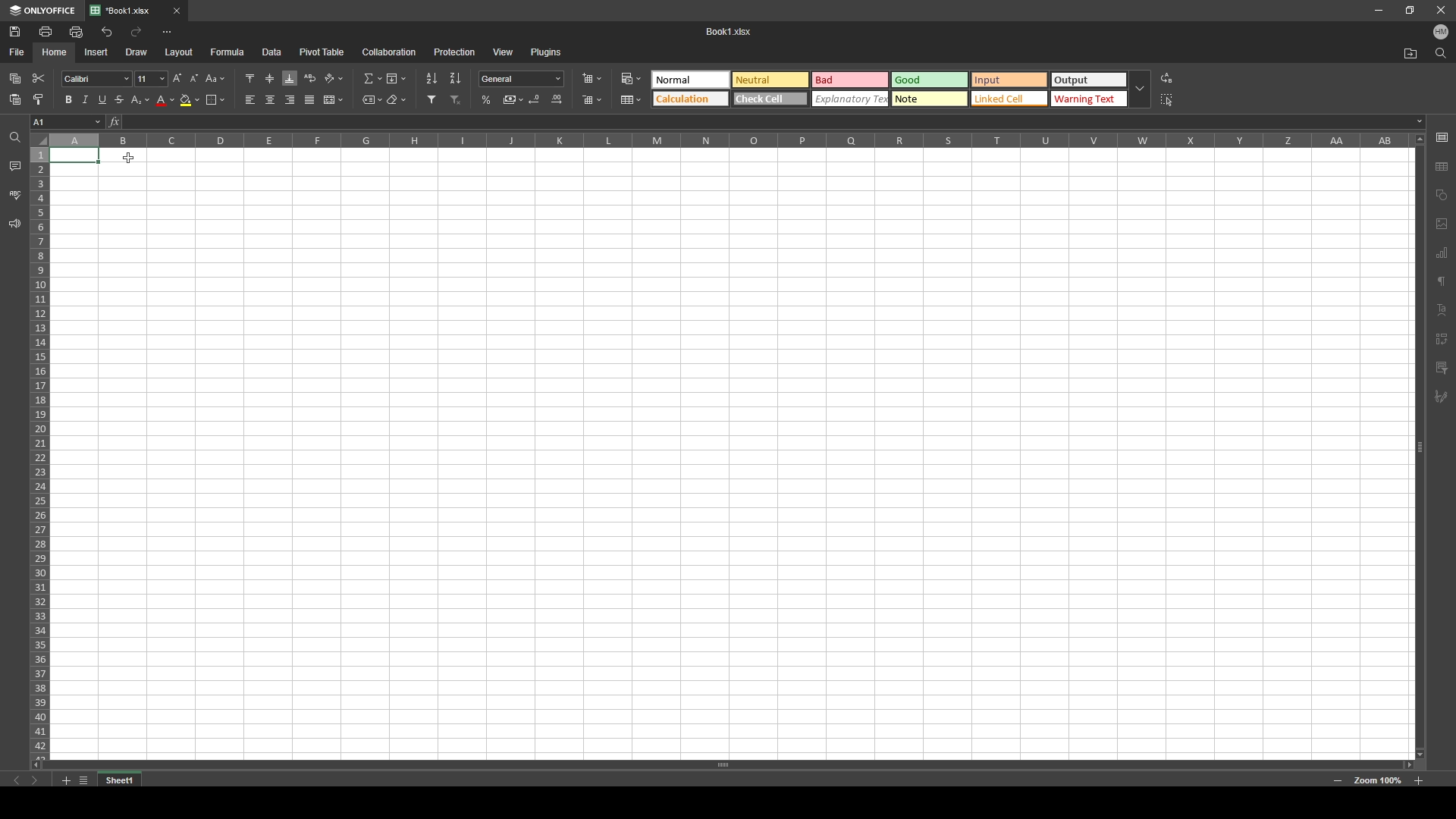  What do you see at coordinates (1442, 368) in the screenshot?
I see `filter` at bounding box center [1442, 368].